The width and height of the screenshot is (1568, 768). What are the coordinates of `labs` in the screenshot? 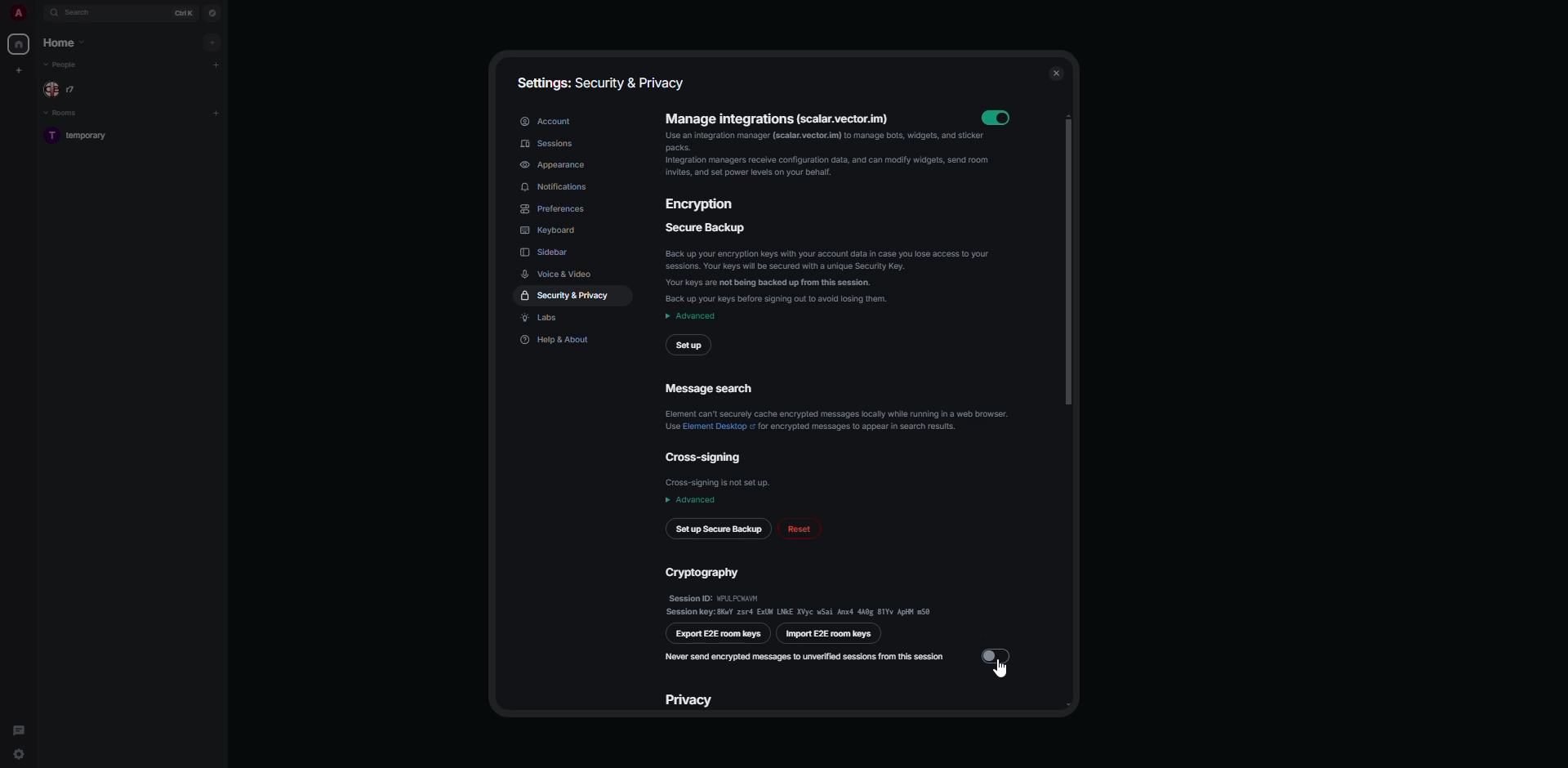 It's located at (545, 319).